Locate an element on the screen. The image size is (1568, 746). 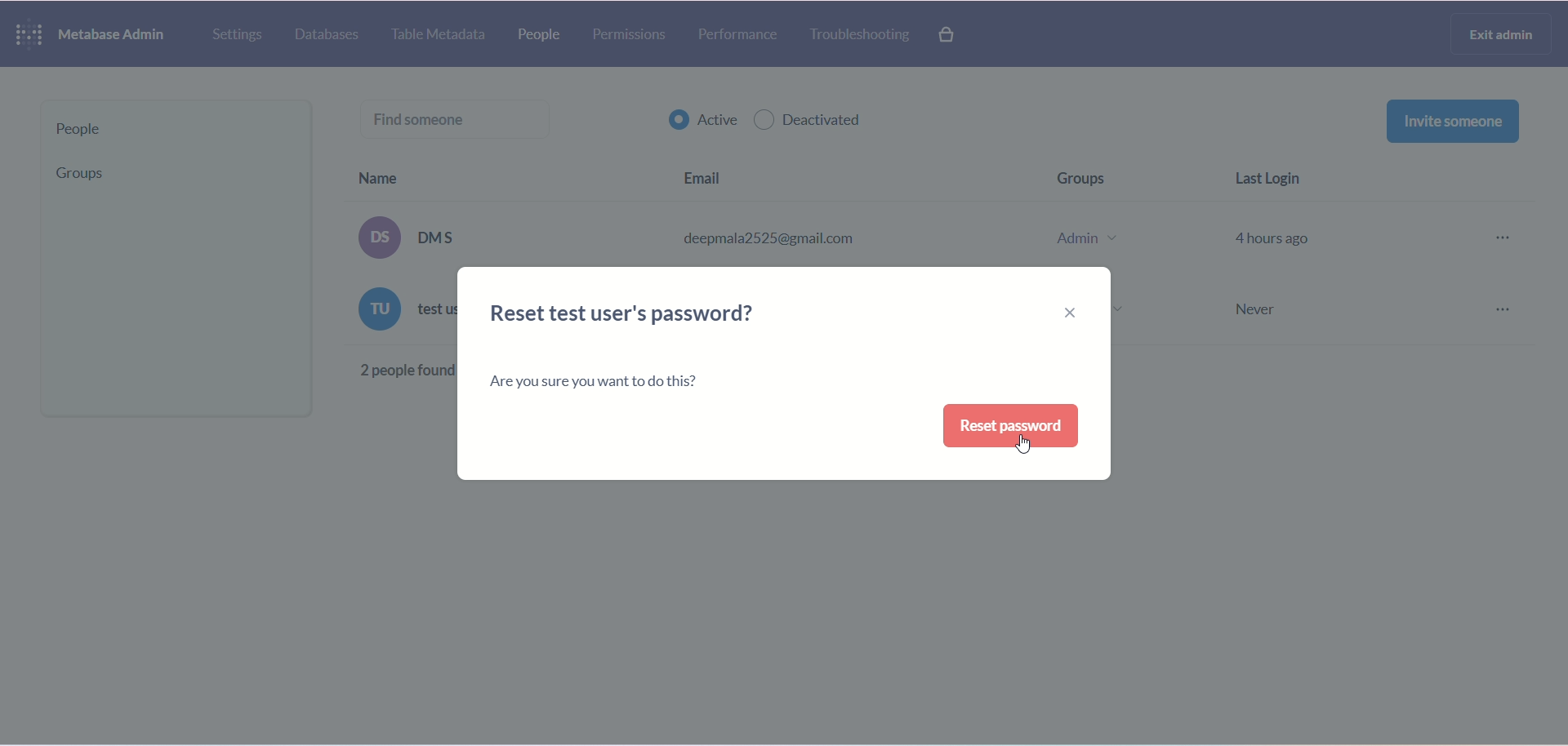
paid features is located at coordinates (948, 34).